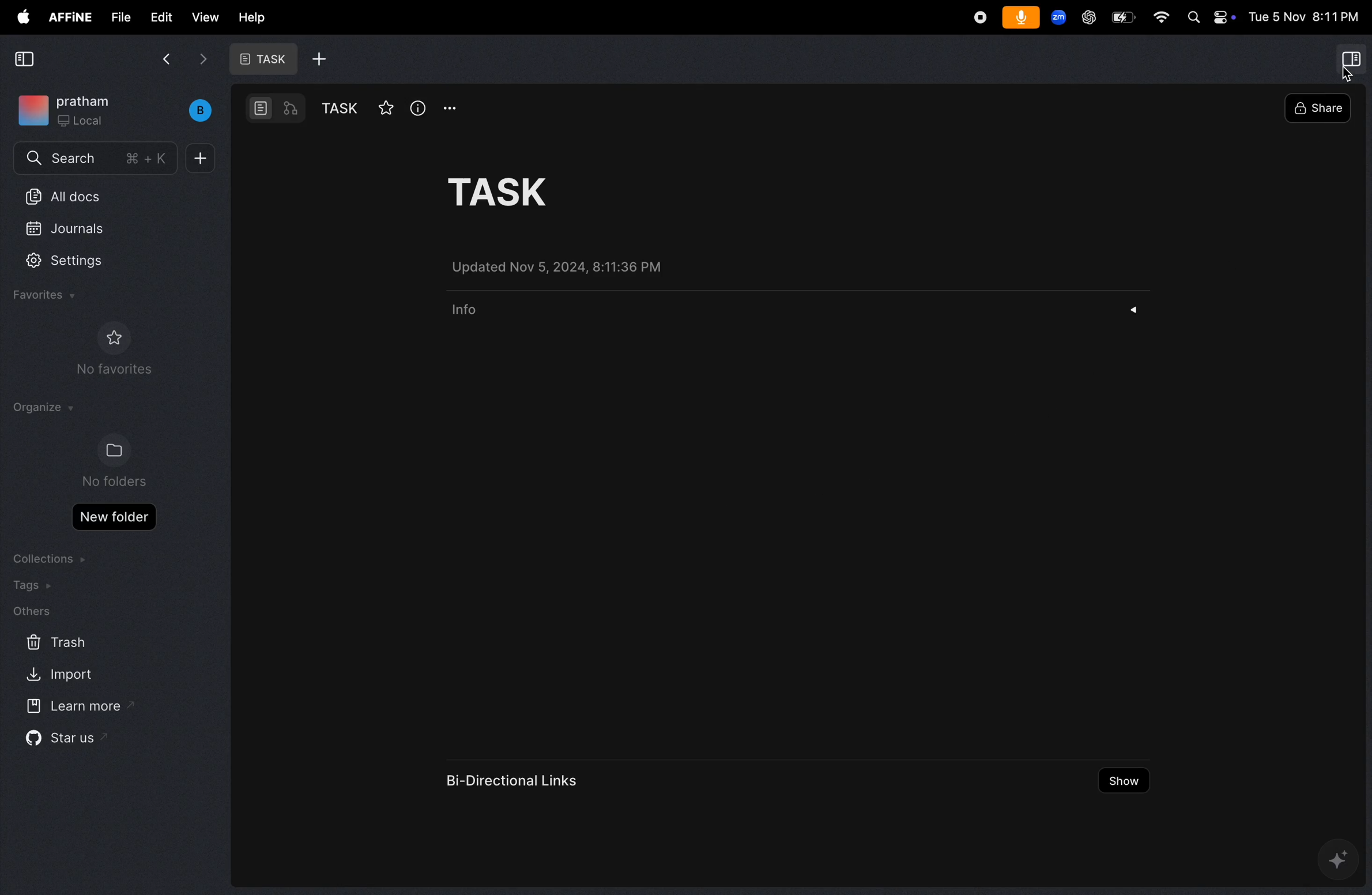 The width and height of the screenshot is (1372, 895). I want to click on battery, so click(1120, 17).